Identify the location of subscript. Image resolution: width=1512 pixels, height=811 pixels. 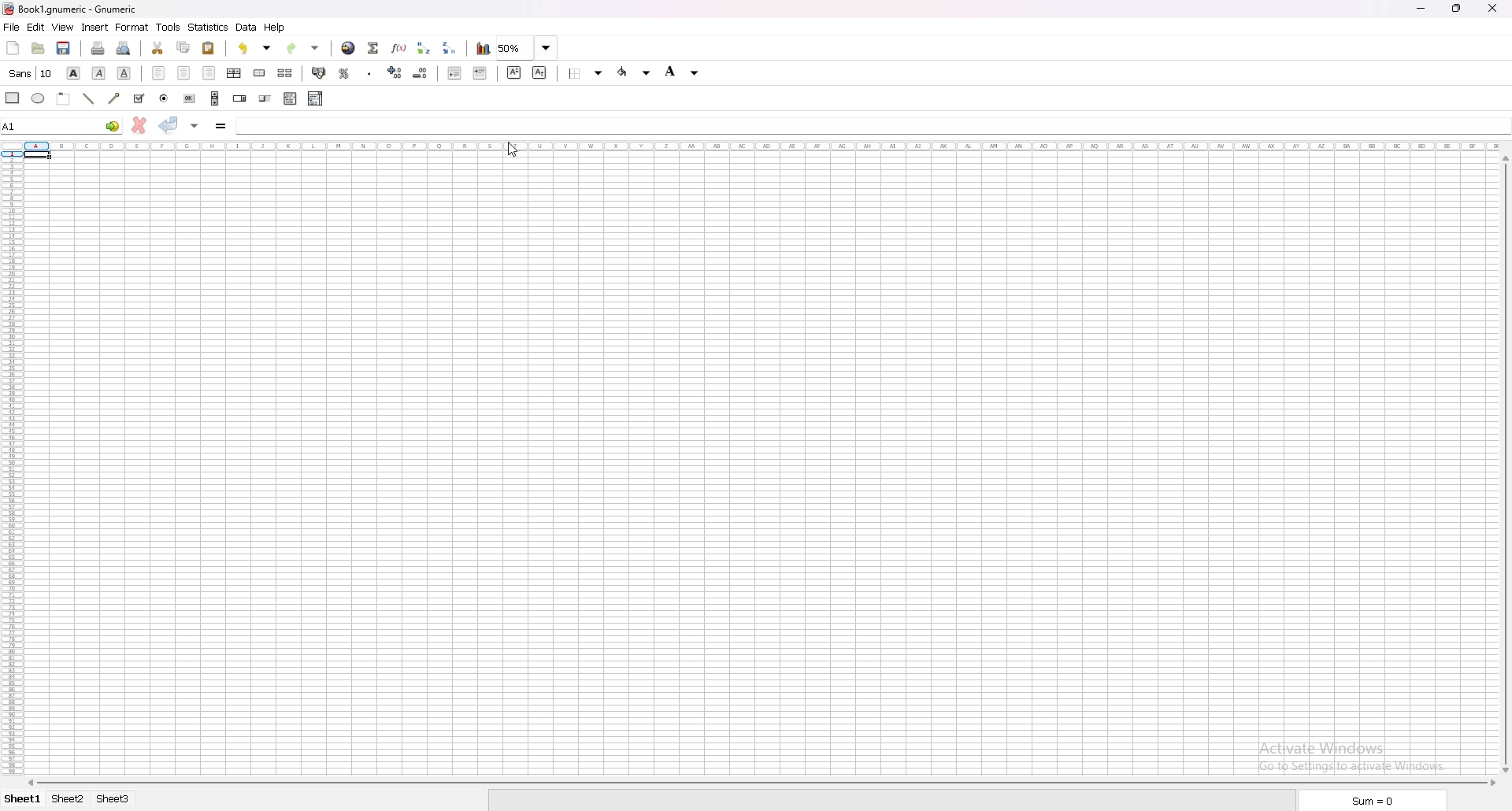
(539, 72).